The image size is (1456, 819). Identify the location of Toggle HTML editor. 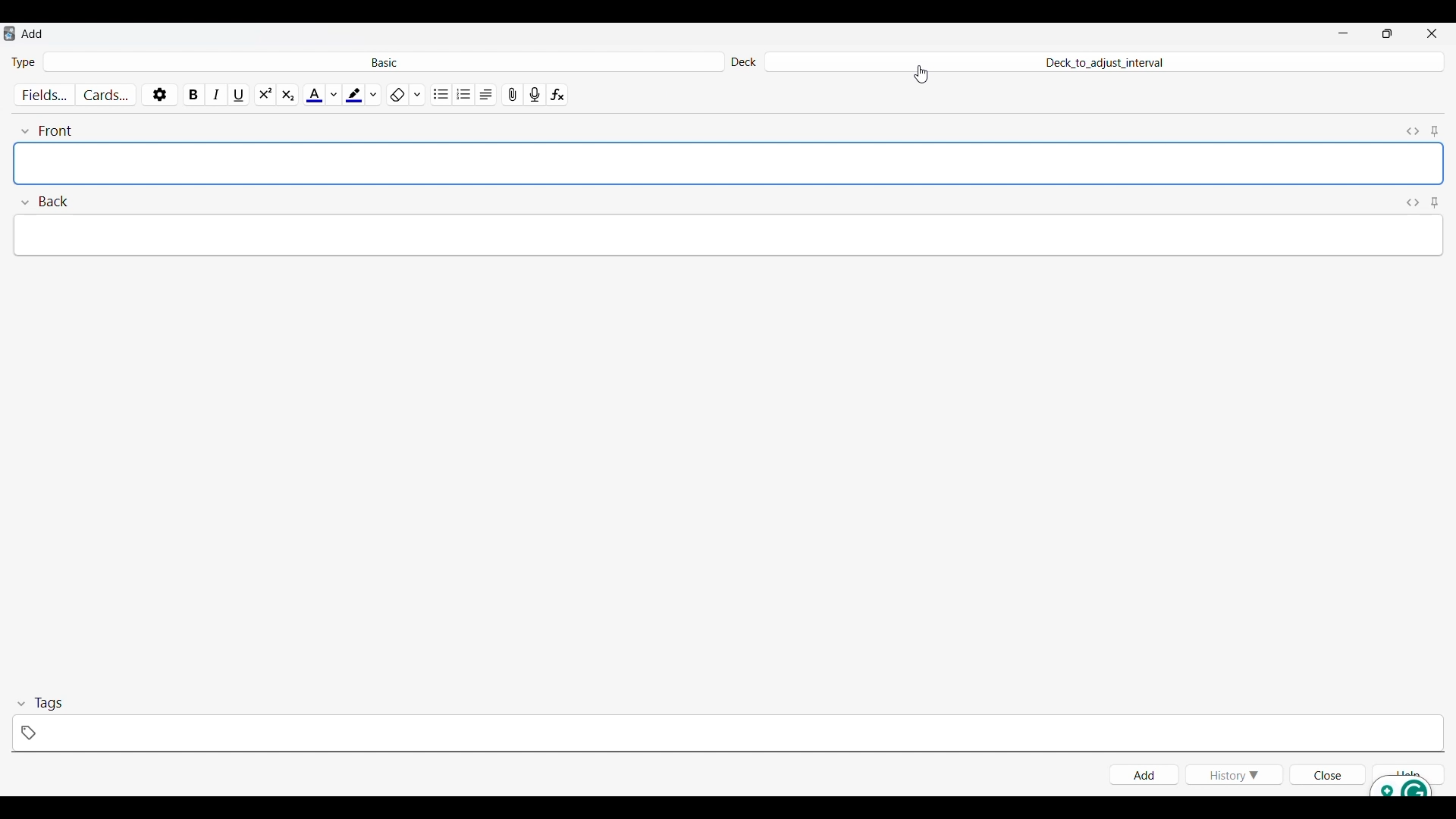
(1414, 203).